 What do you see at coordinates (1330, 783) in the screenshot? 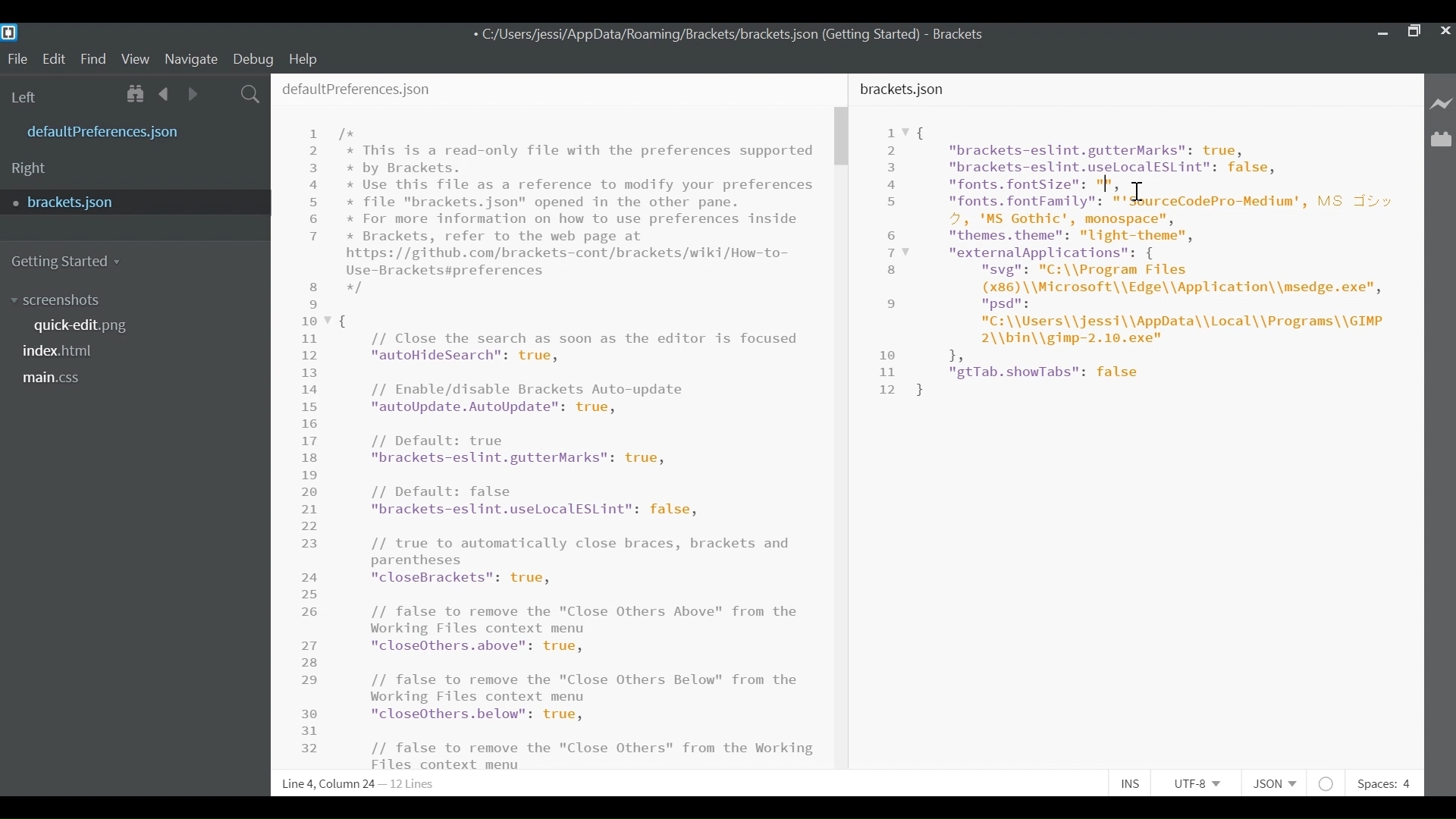
I see `No lintel Available for JSON` at bounding box center [1330, 783].